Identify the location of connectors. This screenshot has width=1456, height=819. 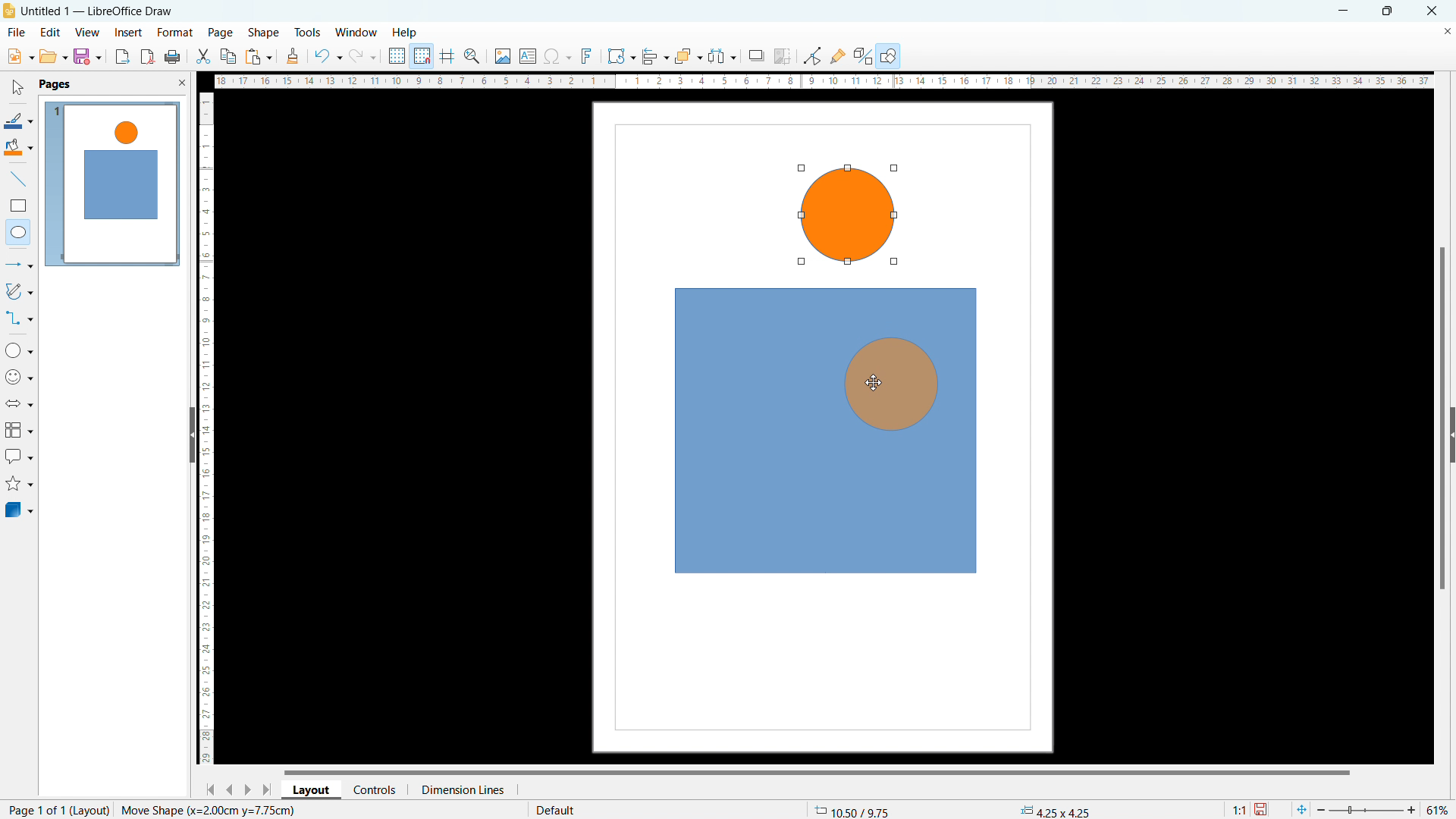
(20, 318).